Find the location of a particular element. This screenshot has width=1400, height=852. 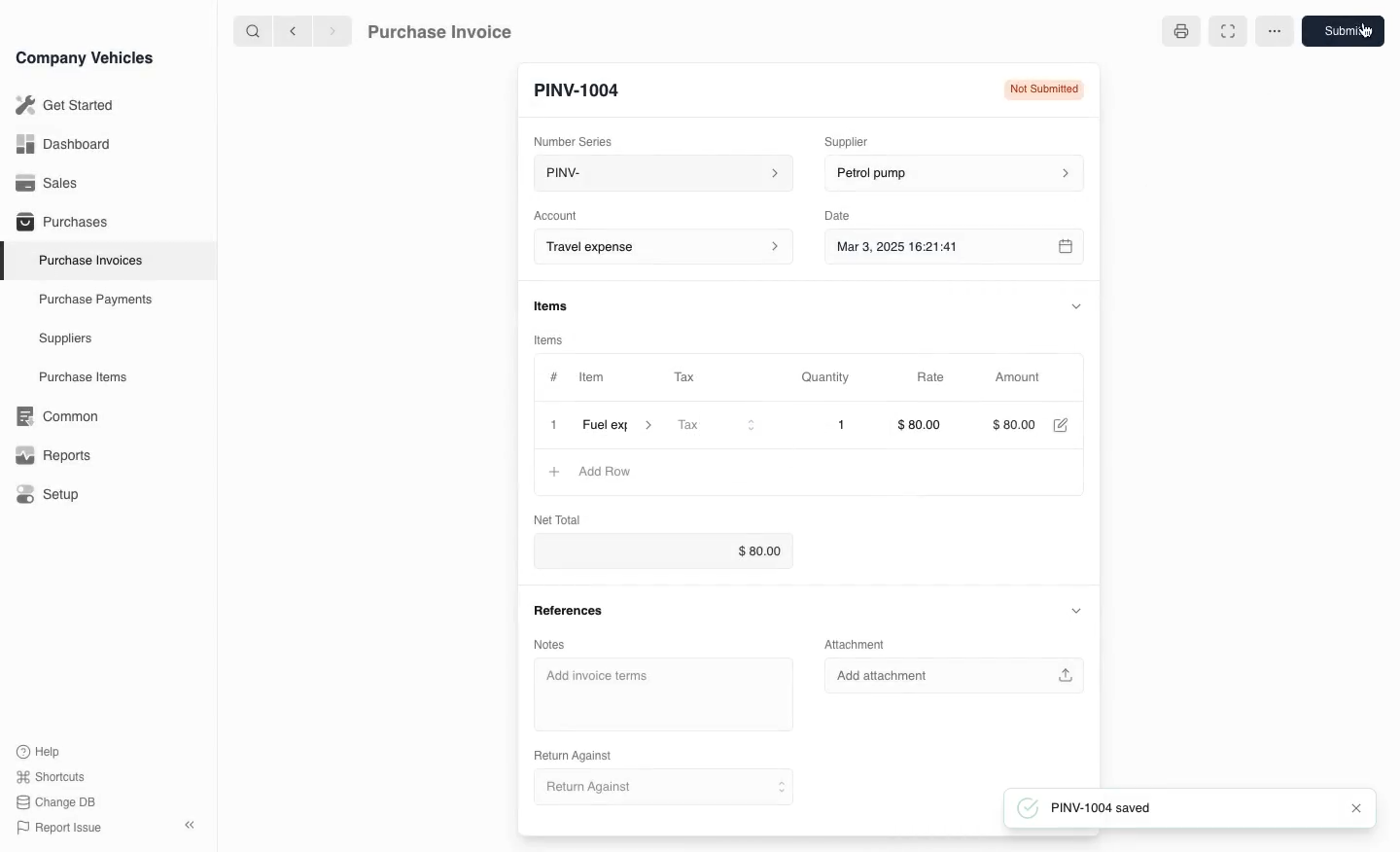

Attachment is located at coordinates (857, 644).